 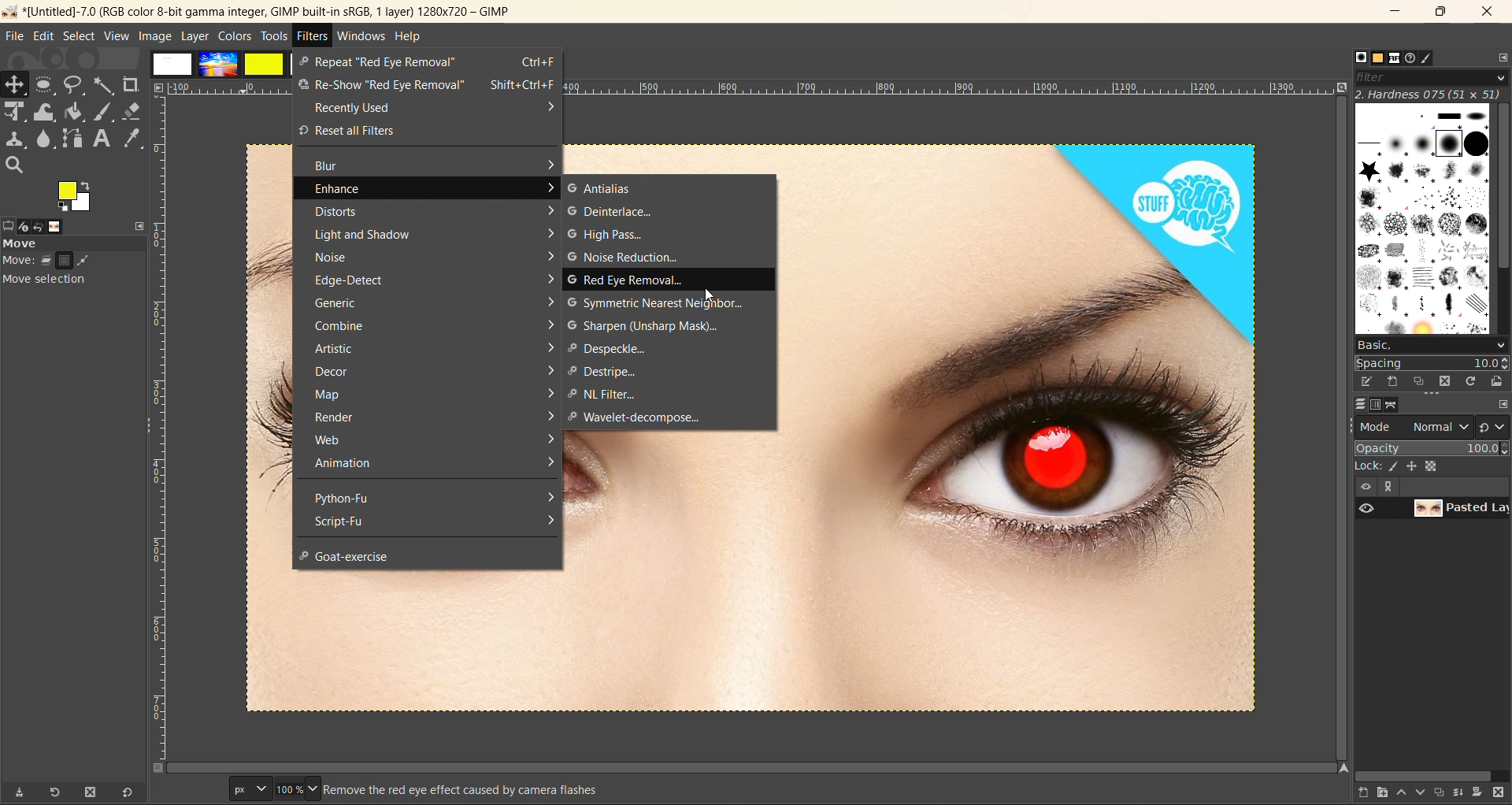 What do you see at coordinates (1398, 406) in the screenshot?
I see `path` at bounding box center [1398, 406].